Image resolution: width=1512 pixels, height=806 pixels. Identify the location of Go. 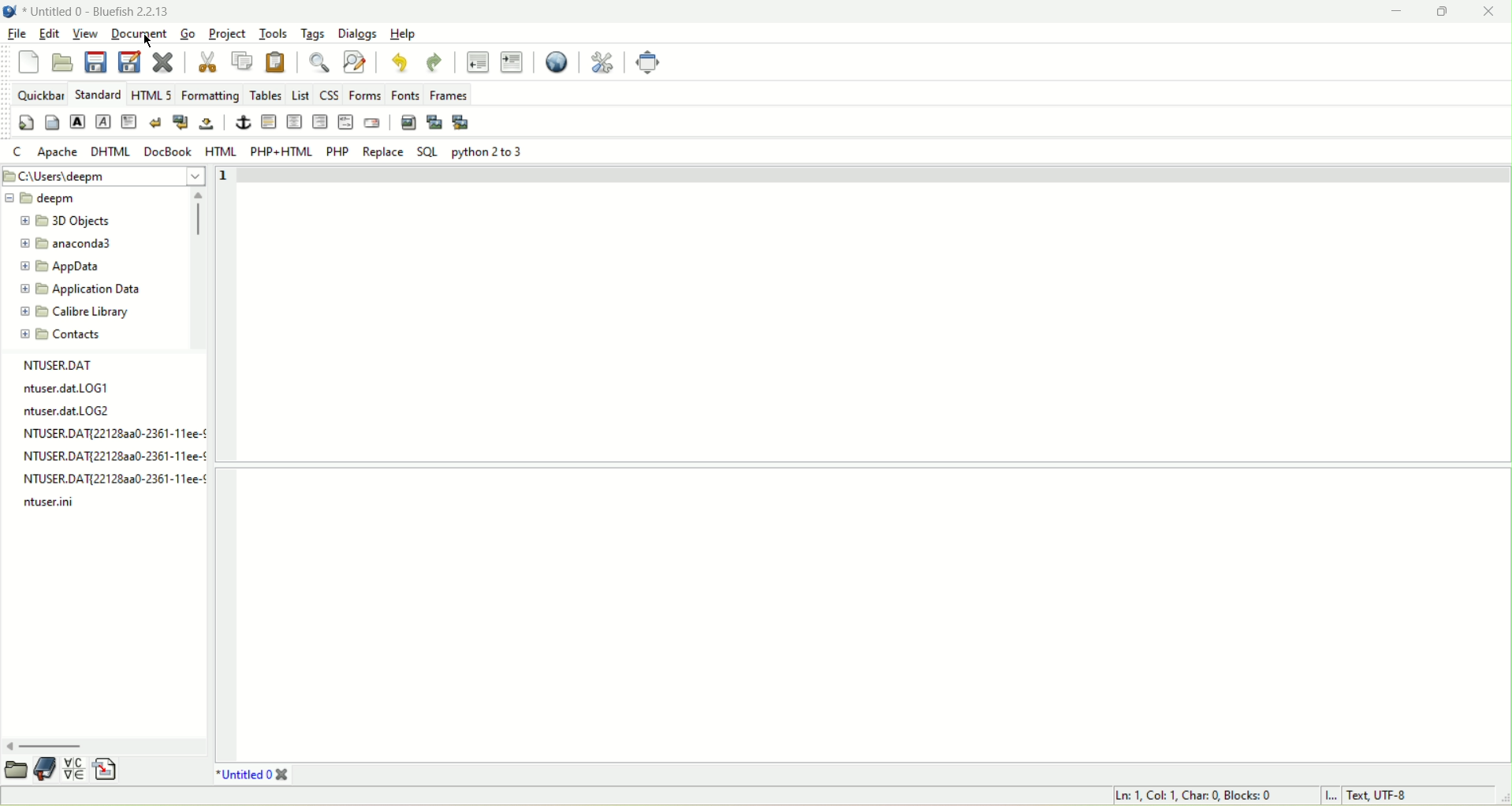
(189, 32).